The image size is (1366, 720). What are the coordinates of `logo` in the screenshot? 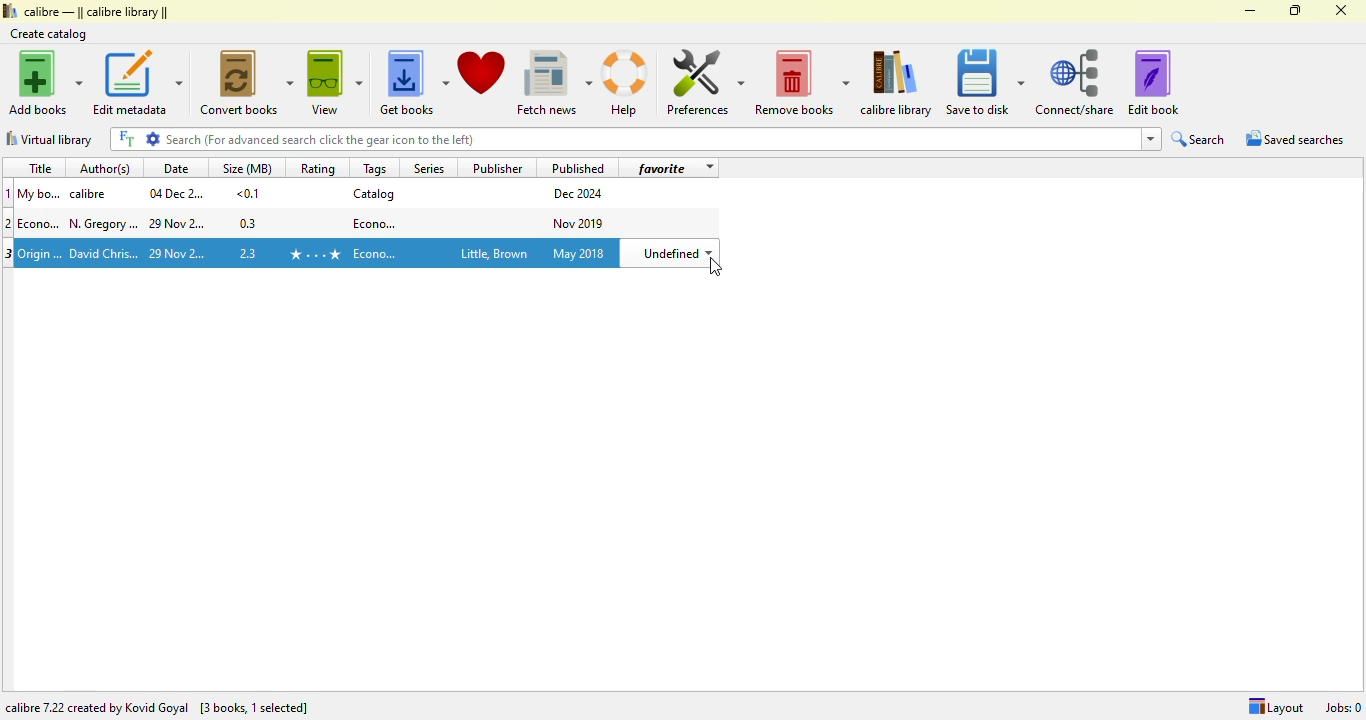 It's located at (9, 10).